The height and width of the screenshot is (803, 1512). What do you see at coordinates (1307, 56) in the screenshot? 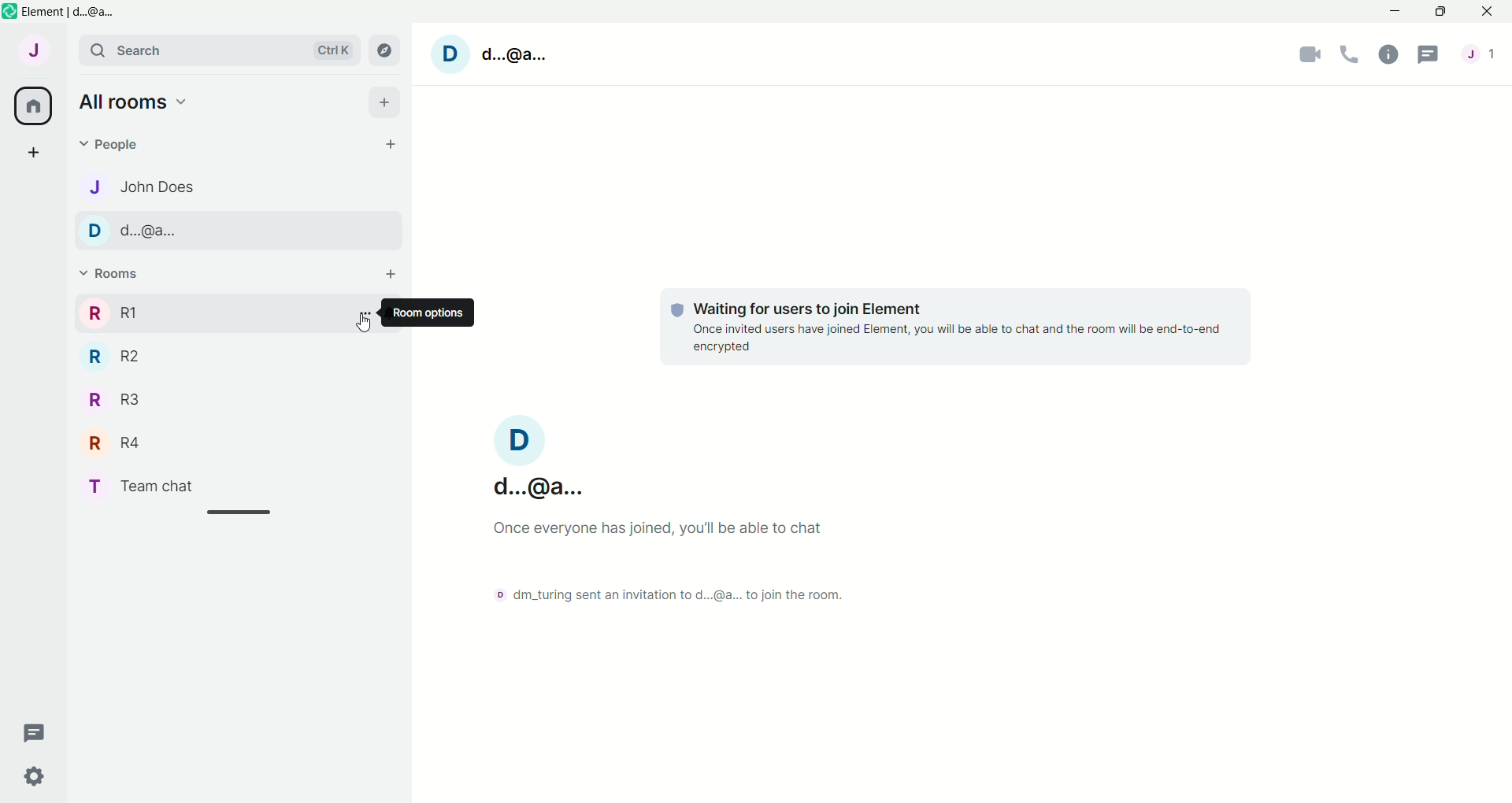
I see `Video Call` at bounding box center [1307, 56].